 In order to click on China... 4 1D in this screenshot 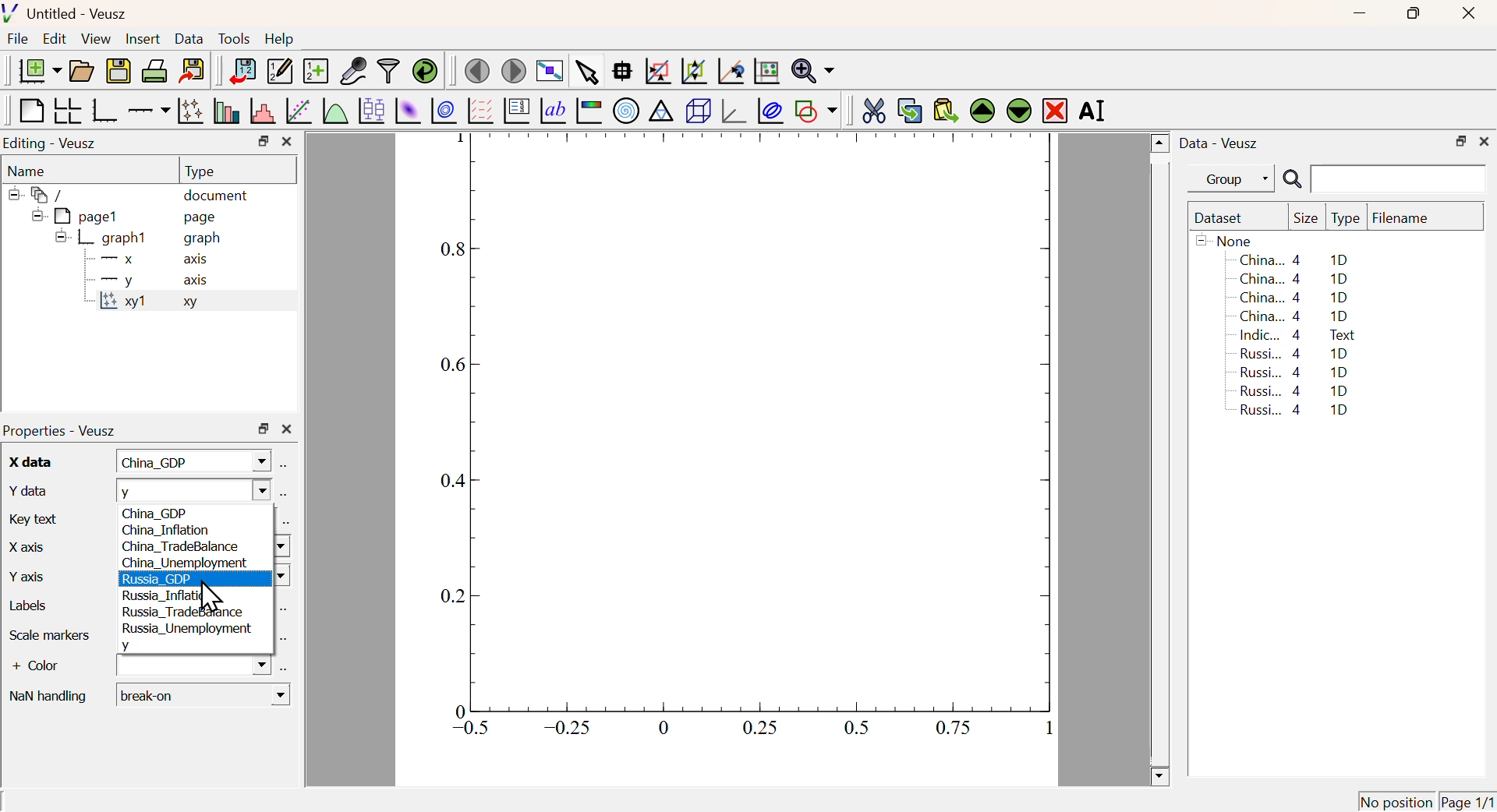, I will do `click(1296, 298)`.